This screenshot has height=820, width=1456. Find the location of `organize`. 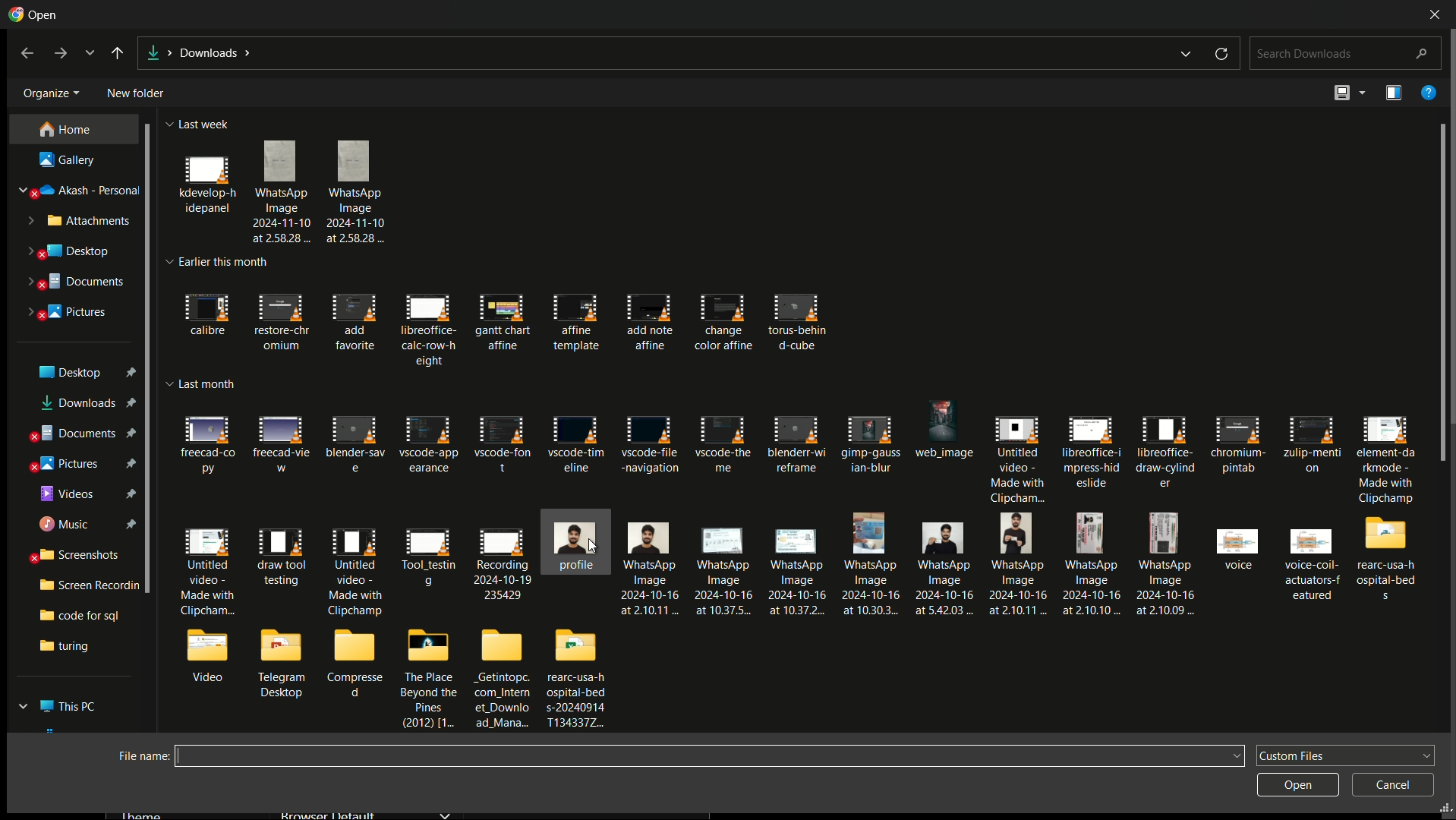

organize is located at coordinates (52, 93).